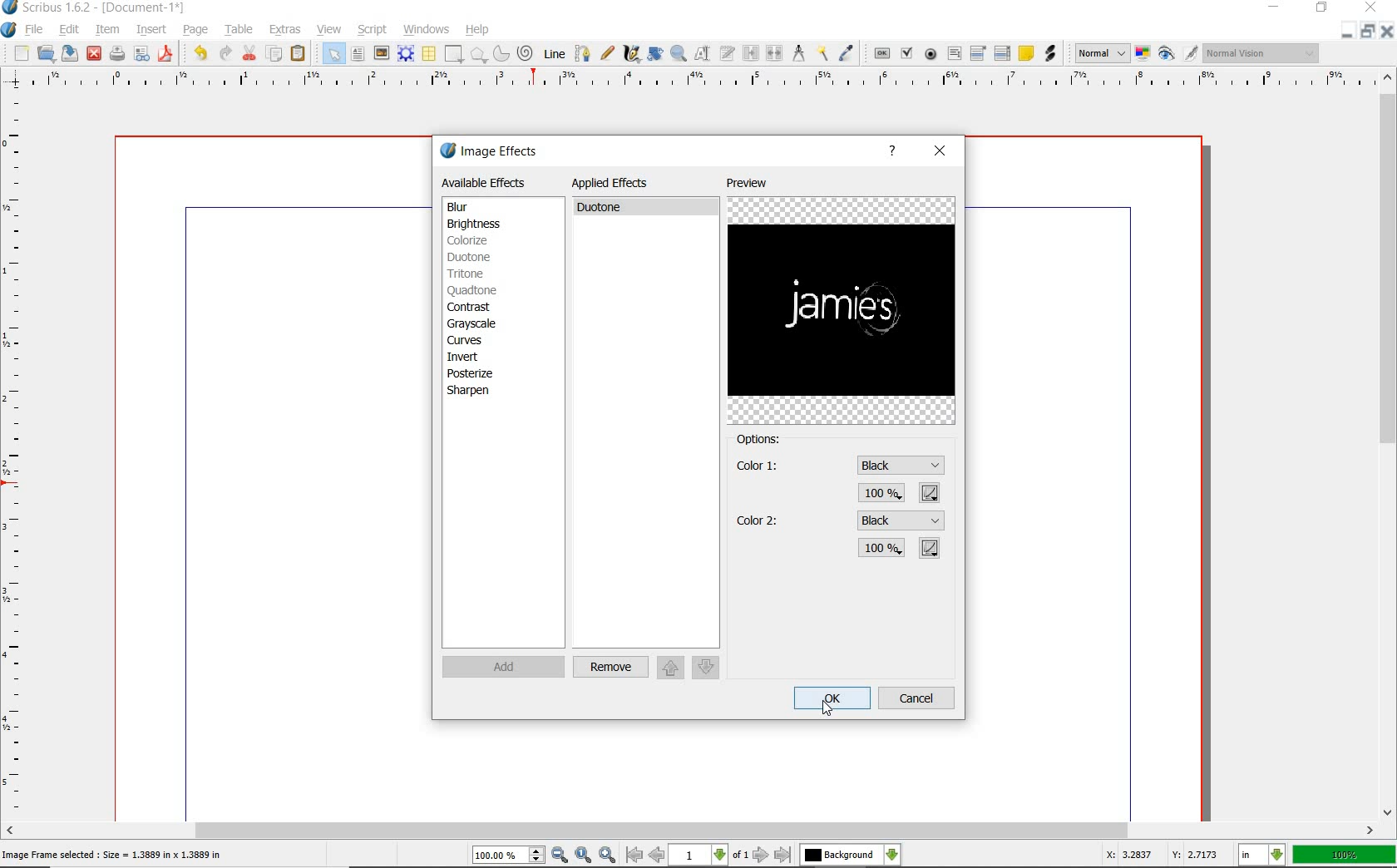 This screenshot has width=1397, height=868. What do you see at coordinates (895, 152) in the screenshot?
I see `help` at bounding box center [895, 152].